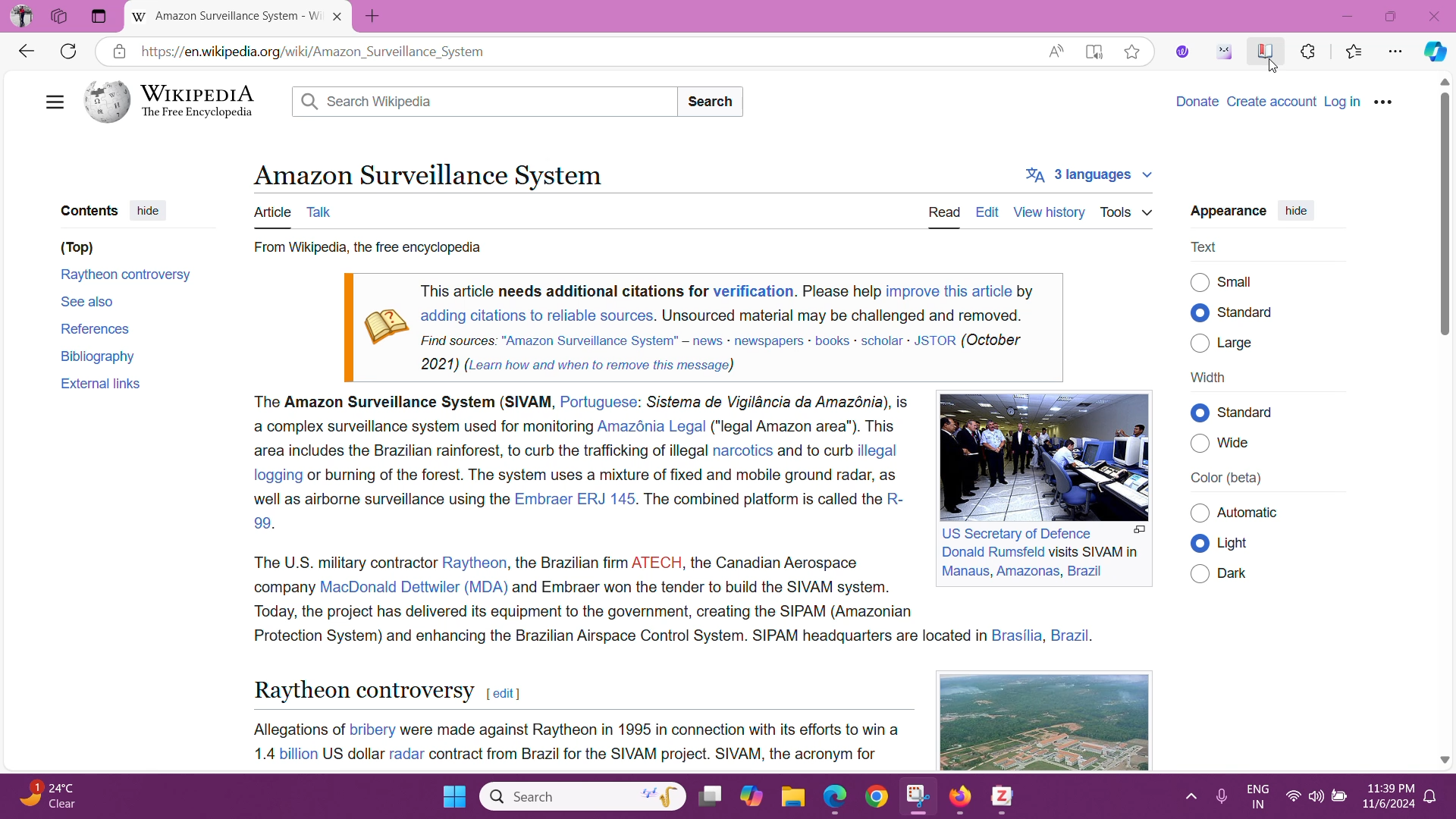 This screenshot has width=1456, height=819. Describe the element at coordinates (61, 17) in the screenshot. I see `` at that location.